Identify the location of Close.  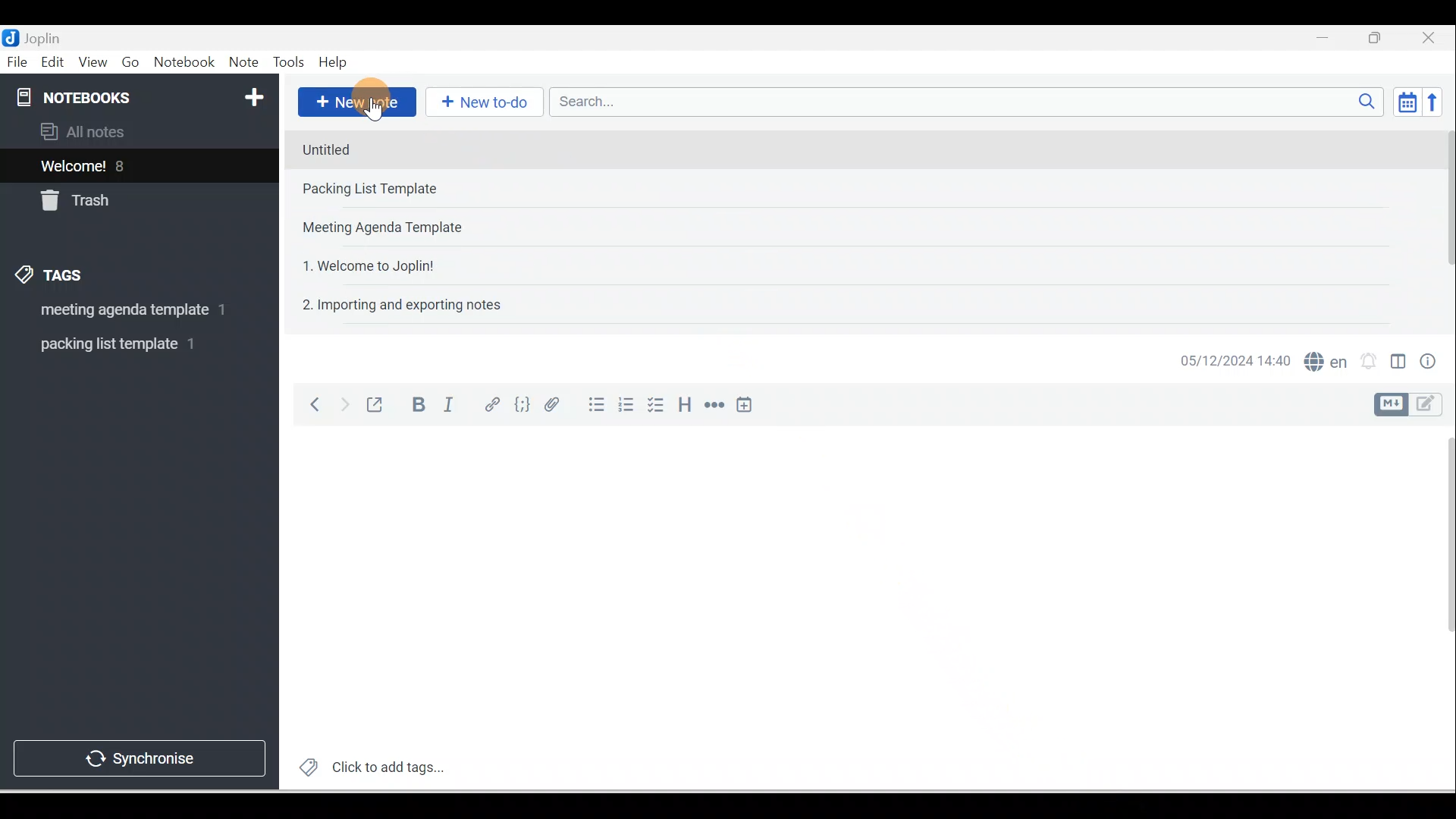
(1432, 38).